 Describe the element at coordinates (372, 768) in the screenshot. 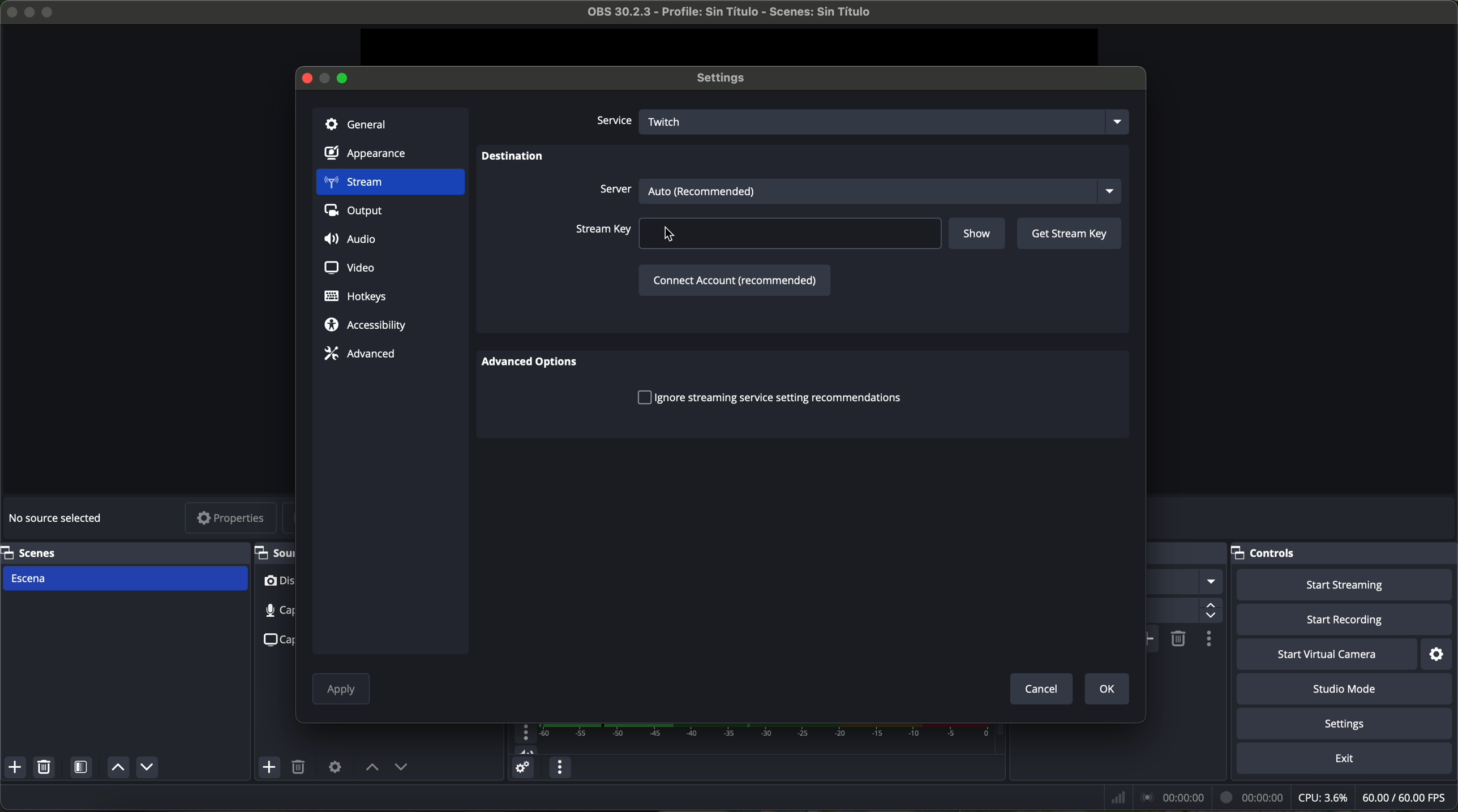

I see `move source up` at that location.